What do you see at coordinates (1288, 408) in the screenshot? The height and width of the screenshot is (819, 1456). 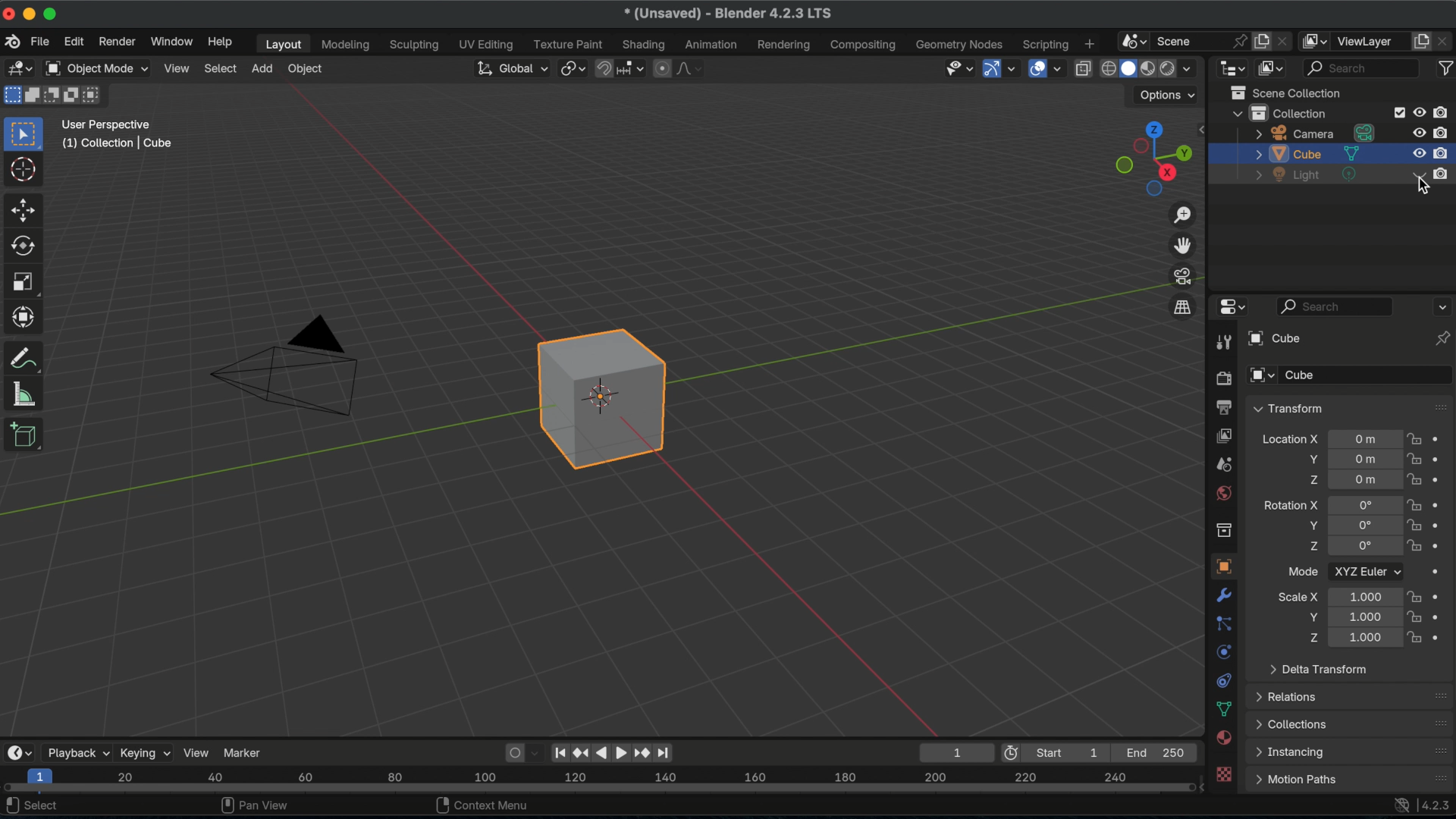 I see `transform drop down` at bounding box center [1288, 408].